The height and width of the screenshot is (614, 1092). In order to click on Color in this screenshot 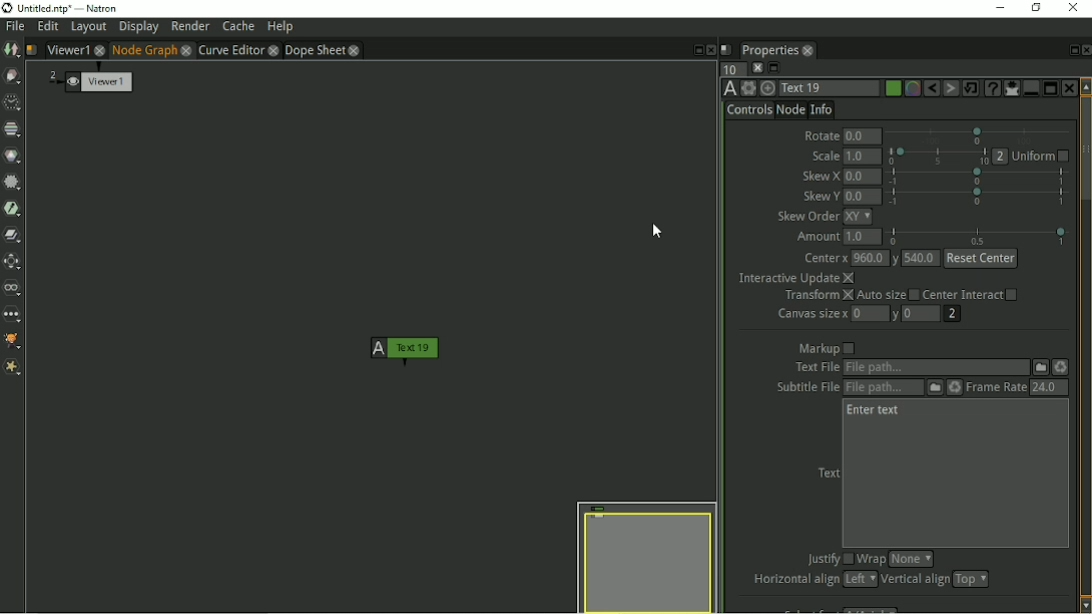, I will do `click(14, 156)`.